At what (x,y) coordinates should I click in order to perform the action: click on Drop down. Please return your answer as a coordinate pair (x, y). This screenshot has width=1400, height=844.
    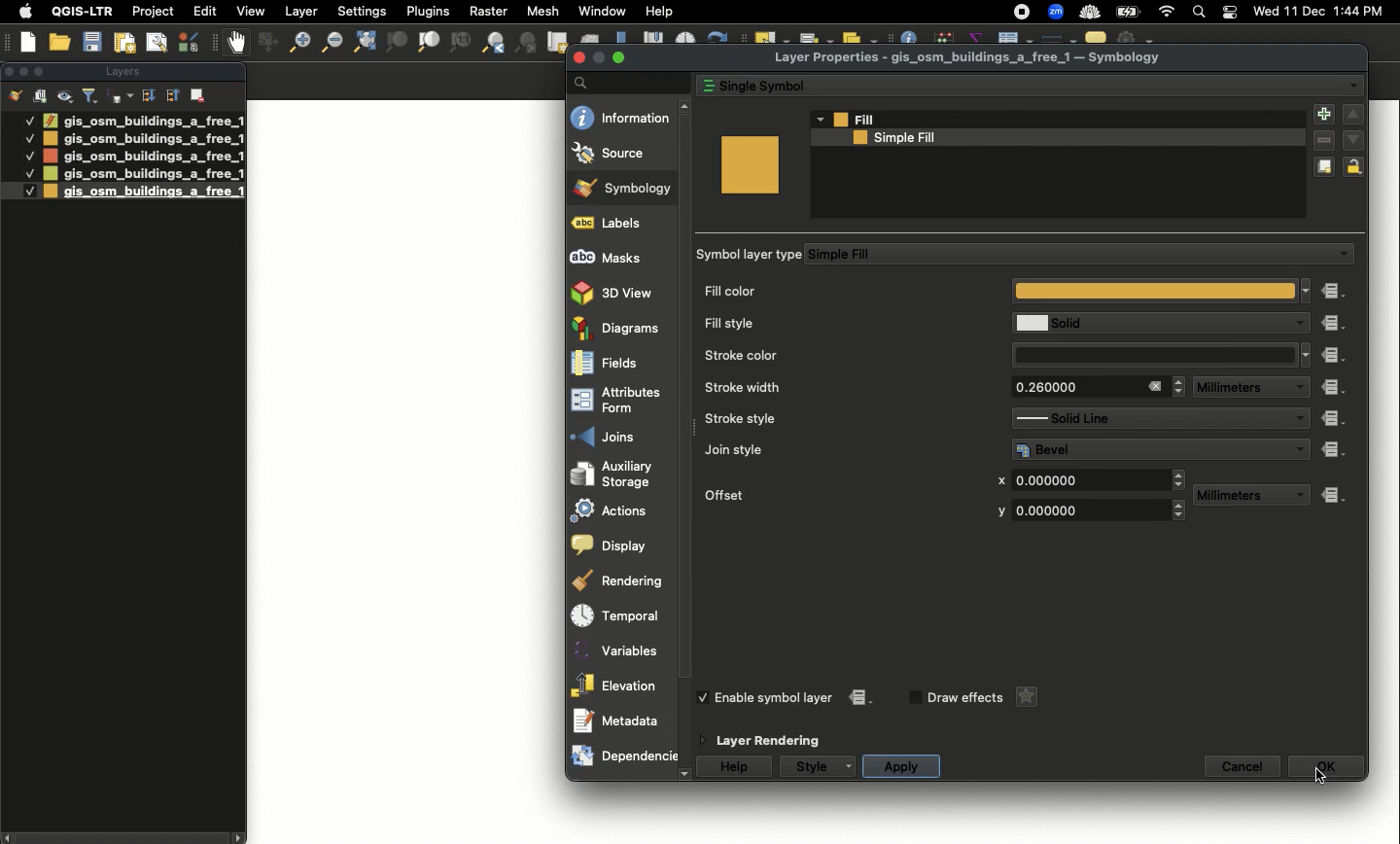
    Looking at the image, I should click on (1353, 86).